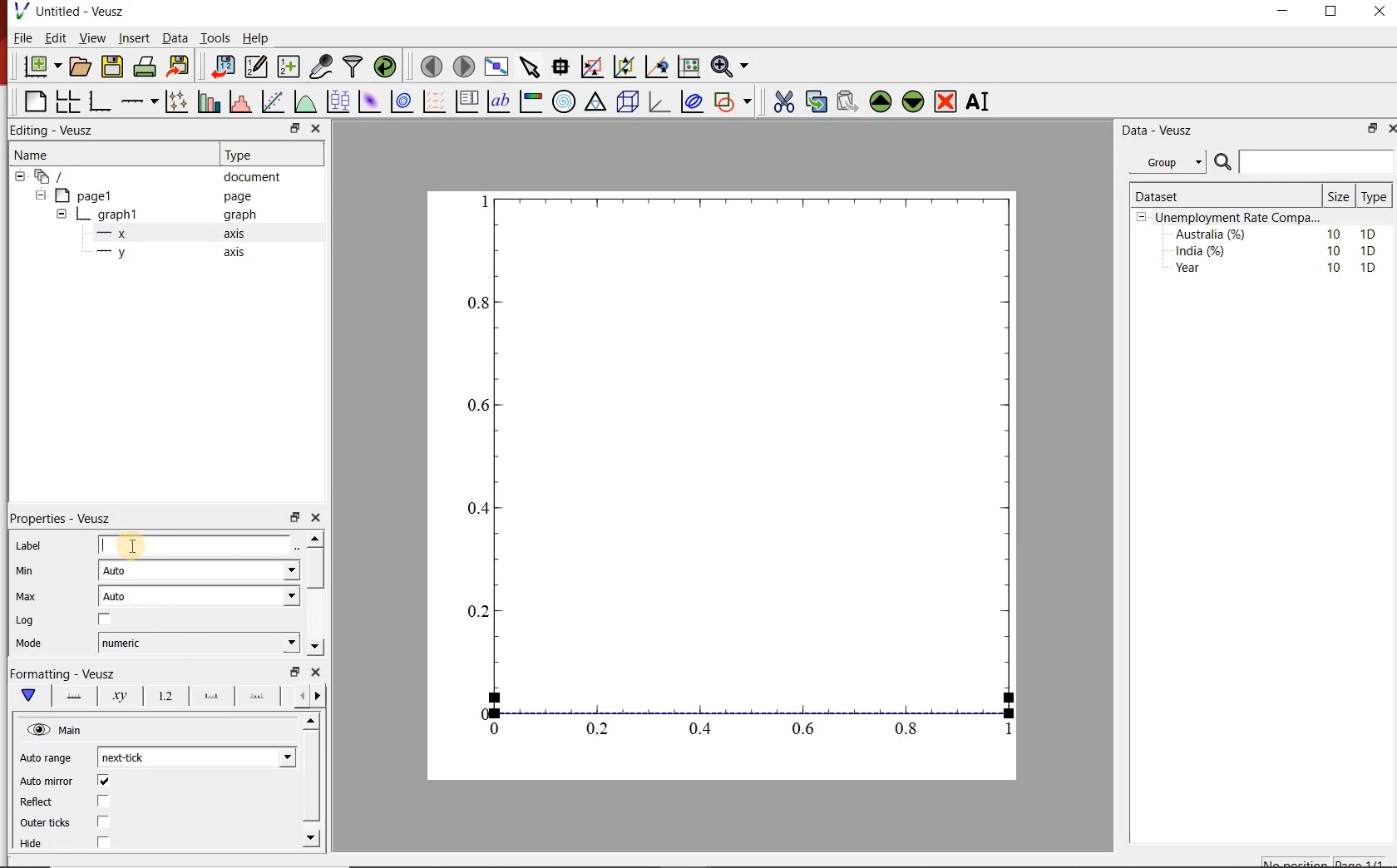 The height and width of the screenshot is (868, 1397). I want to click on remove the widgets, so click(945, 101).